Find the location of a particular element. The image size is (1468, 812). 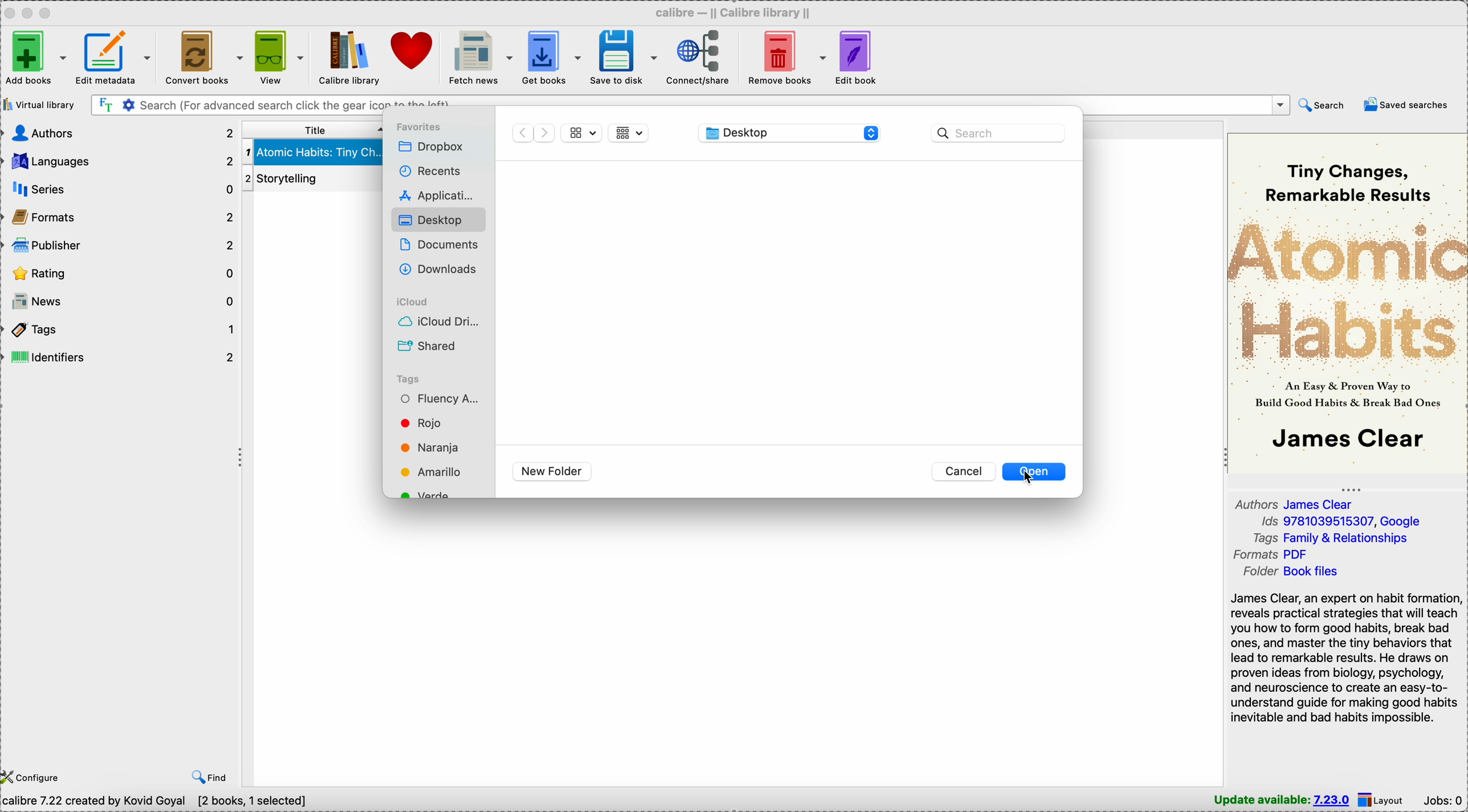

connect/share is located at coordinates (695, 57).